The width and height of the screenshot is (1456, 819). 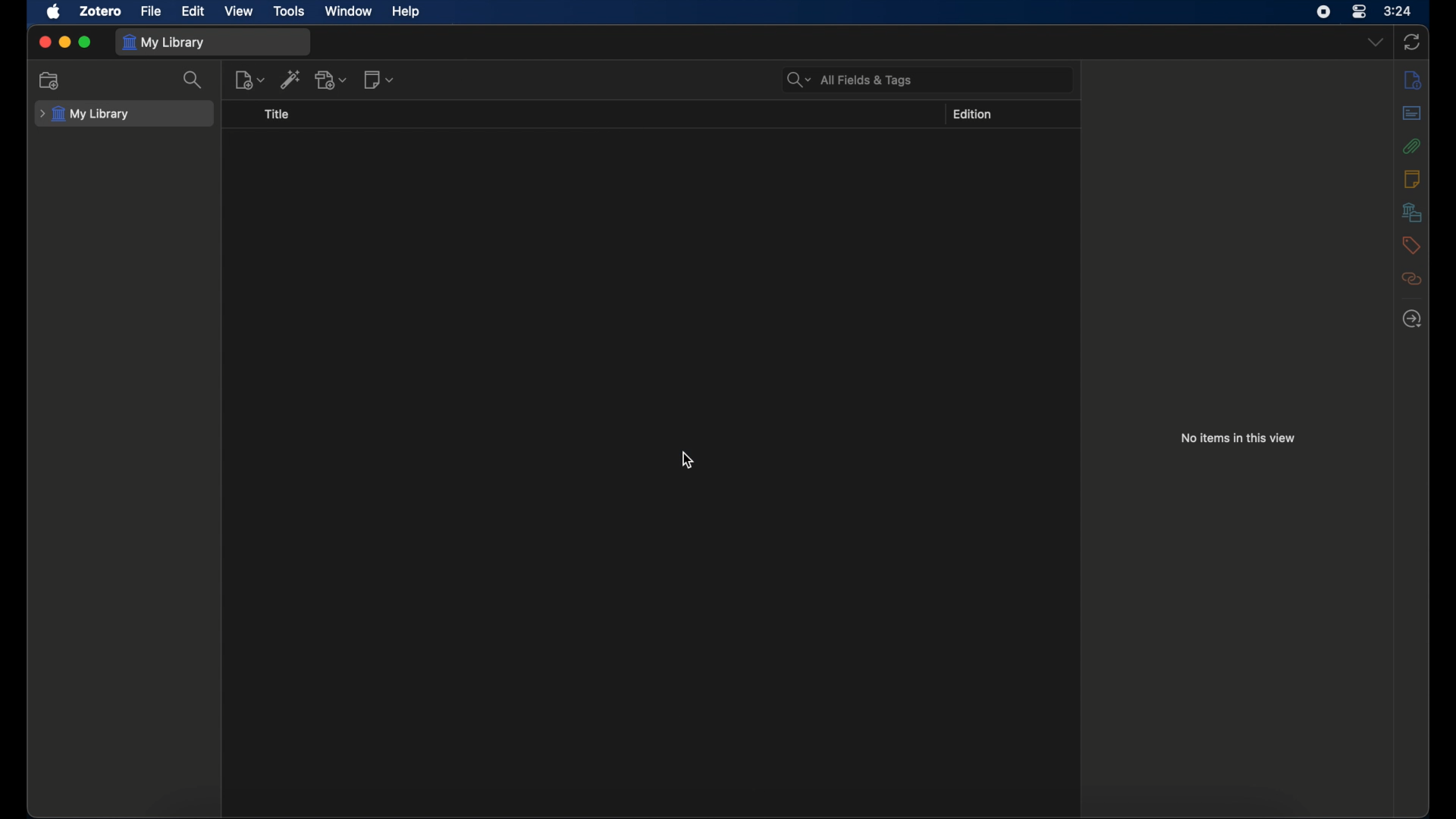 What do you see at coordinates (290, 80) in the screenshot?
I see `add item by identifier` at bounding box center [290, 80].